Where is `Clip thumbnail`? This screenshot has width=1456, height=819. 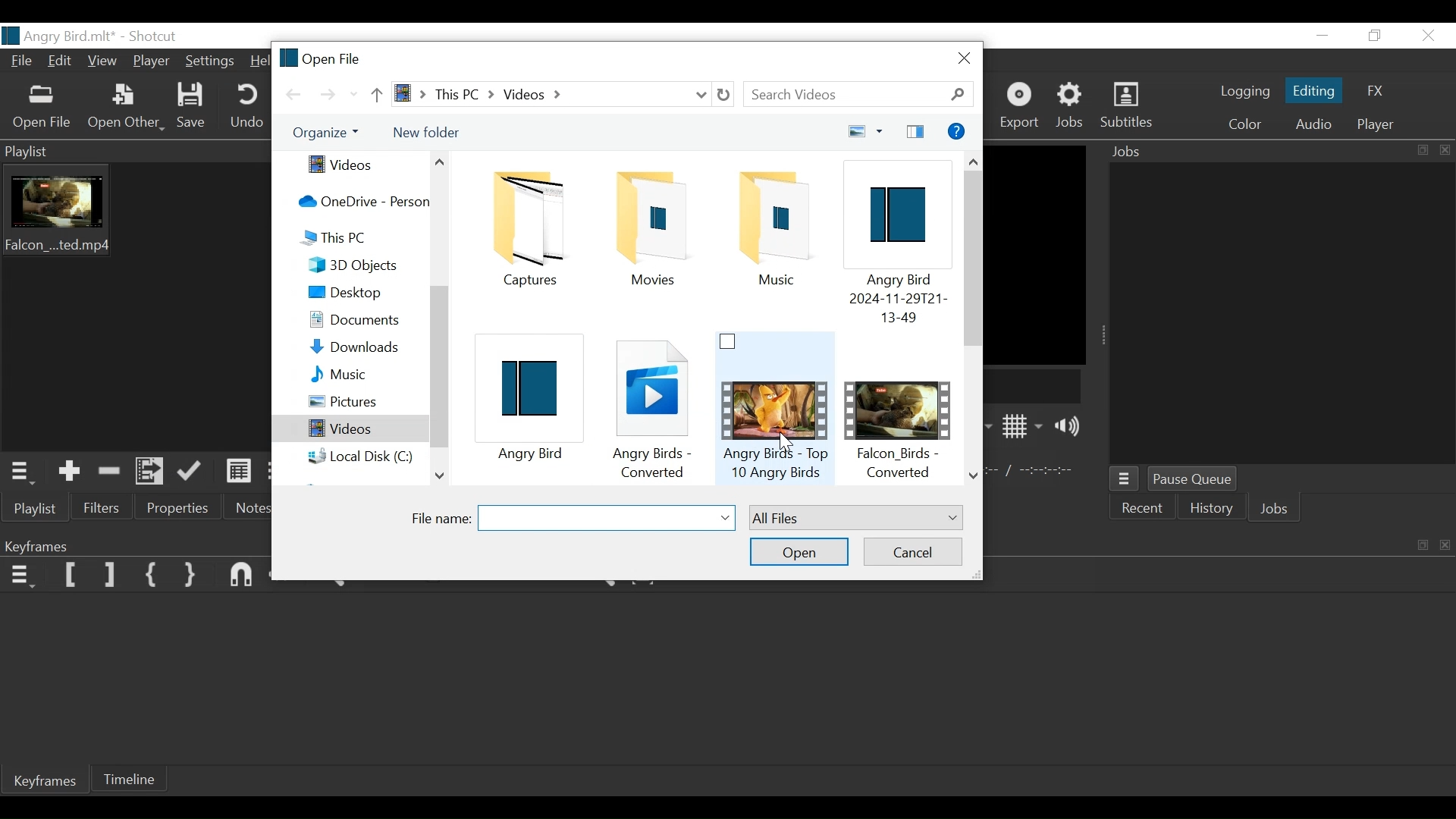 Clip thumbnail is located at coordinates (68, 221).